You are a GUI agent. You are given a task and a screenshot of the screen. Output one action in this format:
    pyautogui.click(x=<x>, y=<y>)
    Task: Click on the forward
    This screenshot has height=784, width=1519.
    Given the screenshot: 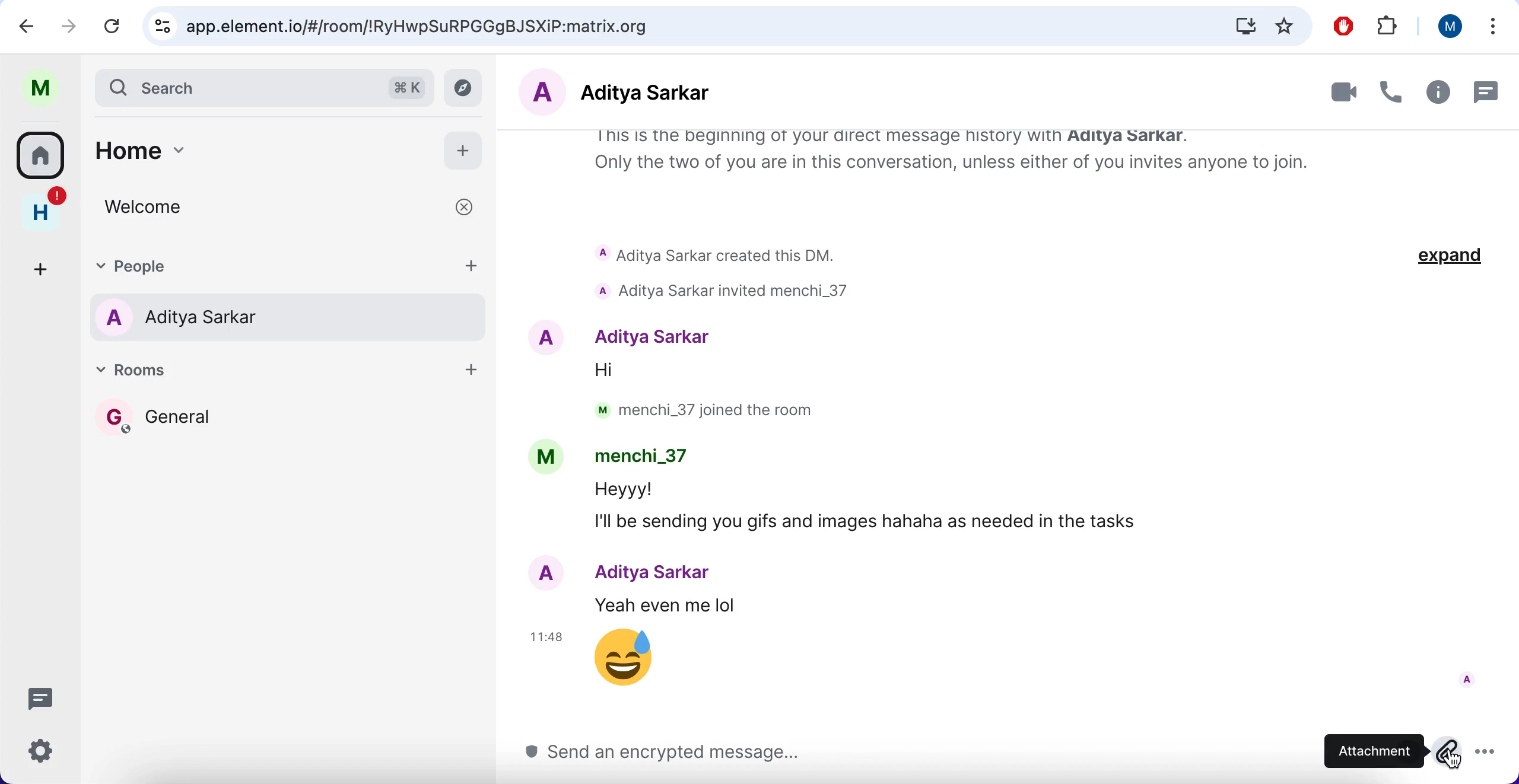 What is the action you would take?
    pyautogui.click(x=68, y=26)
    